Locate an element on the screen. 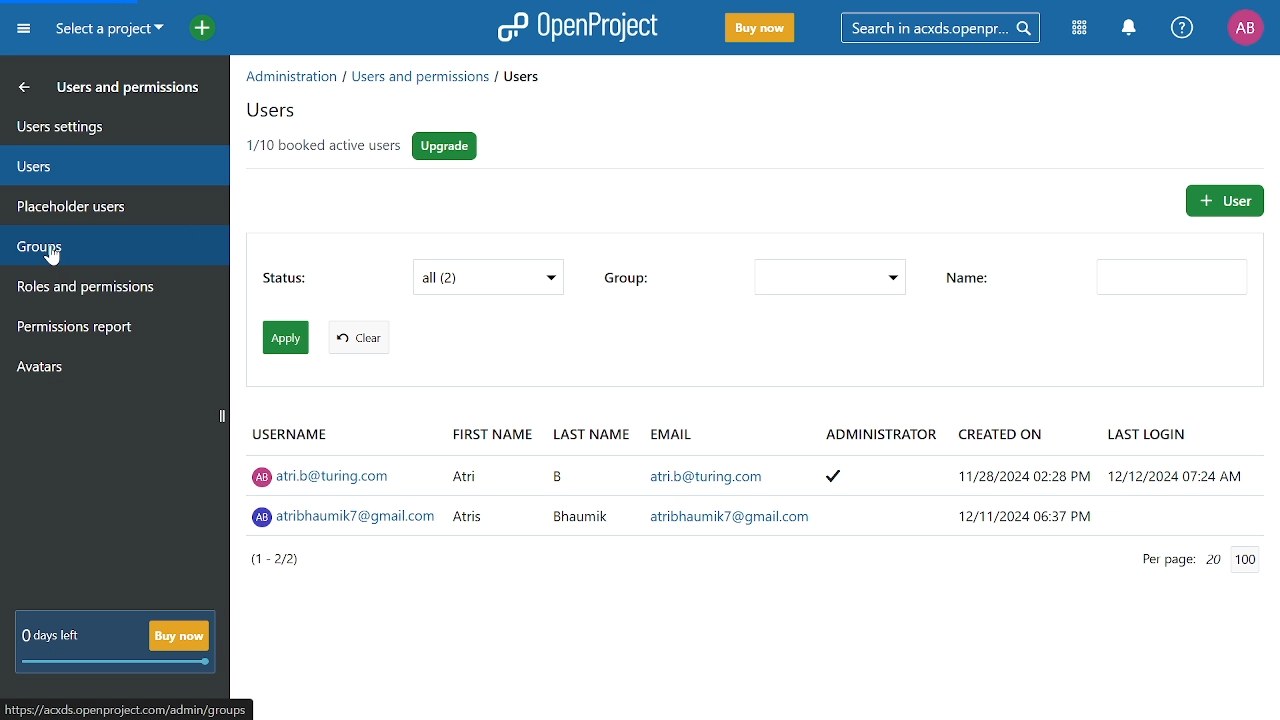  Subscription information is located at coordinates (48, 637).